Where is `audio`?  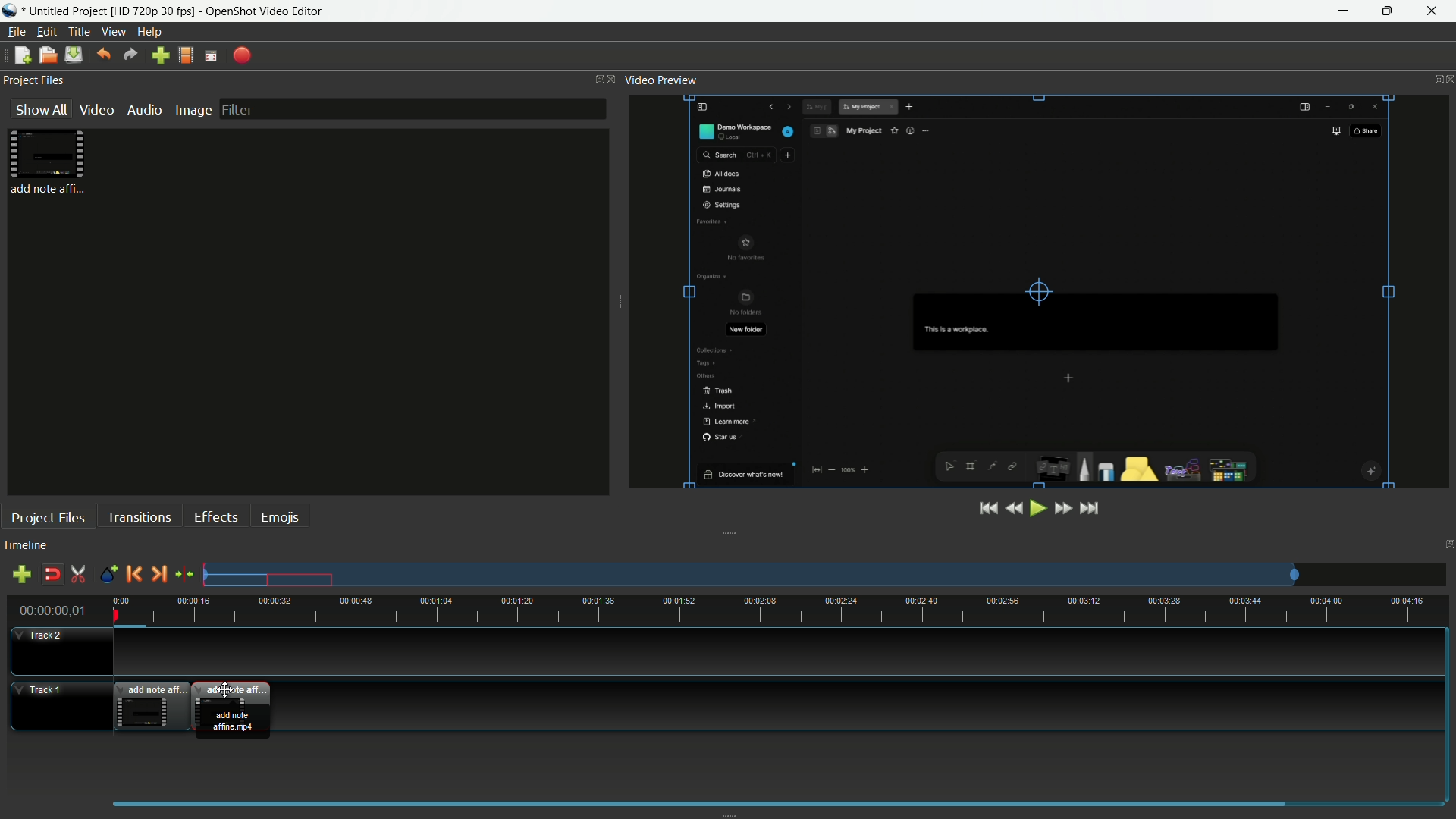
audio is located at coordinates (143, 110).